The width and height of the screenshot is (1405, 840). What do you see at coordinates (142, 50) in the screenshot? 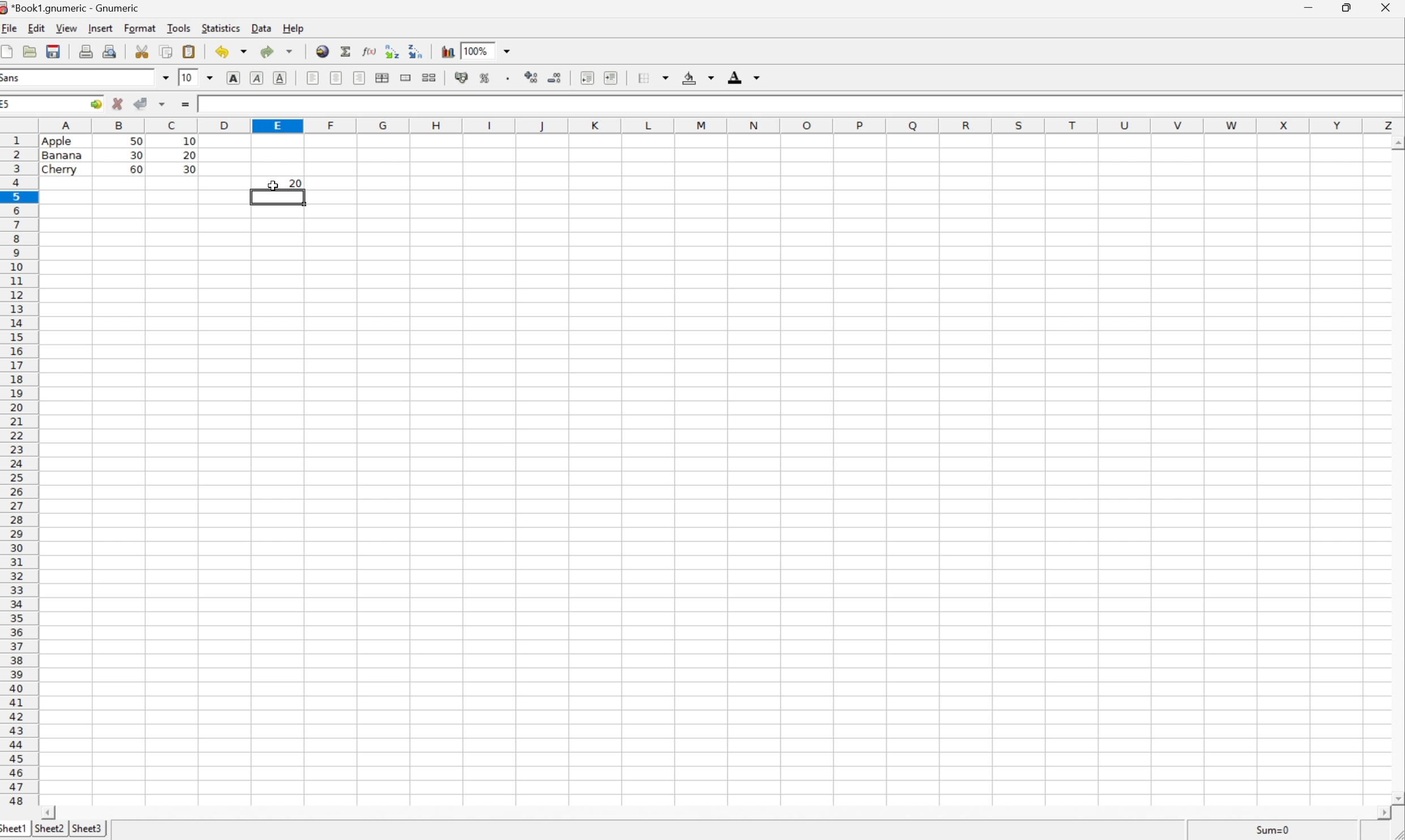
I see `cut` at bounding box center [142, 50].